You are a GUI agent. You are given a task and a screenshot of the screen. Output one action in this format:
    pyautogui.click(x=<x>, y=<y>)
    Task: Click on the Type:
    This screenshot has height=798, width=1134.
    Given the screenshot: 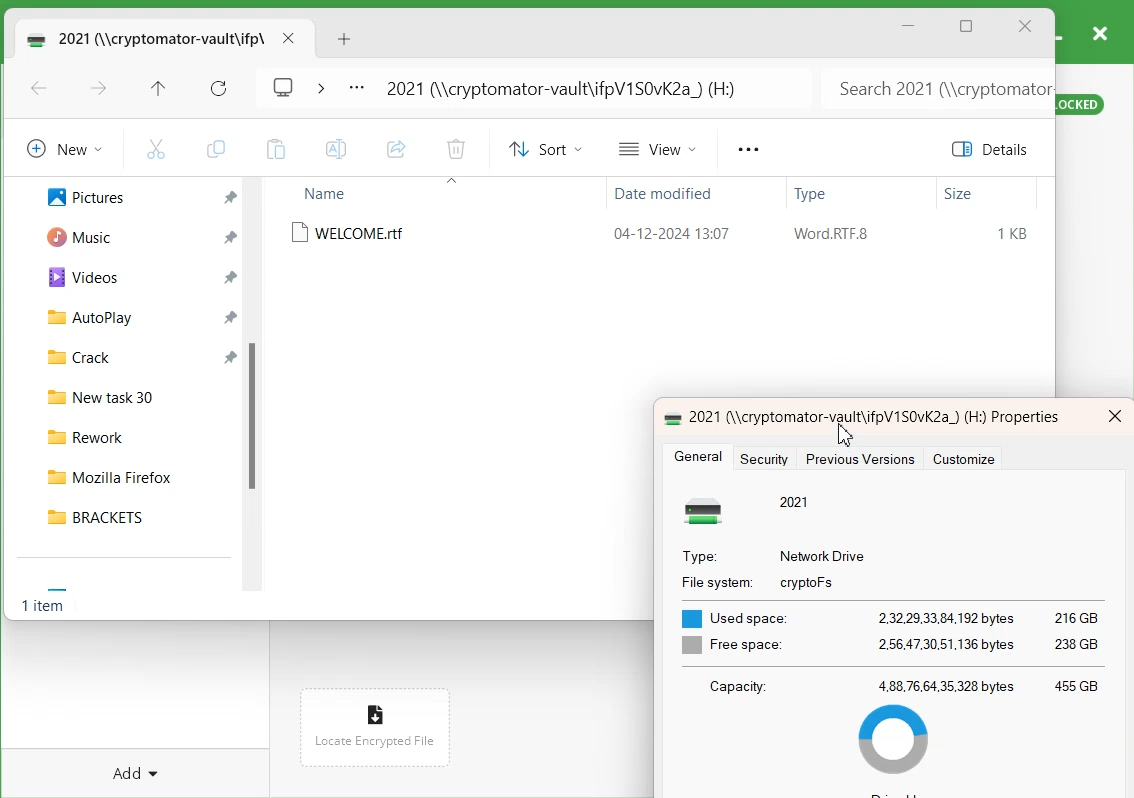 What is the action you would take?
    pyautogui.click(x=699, y=557)
    